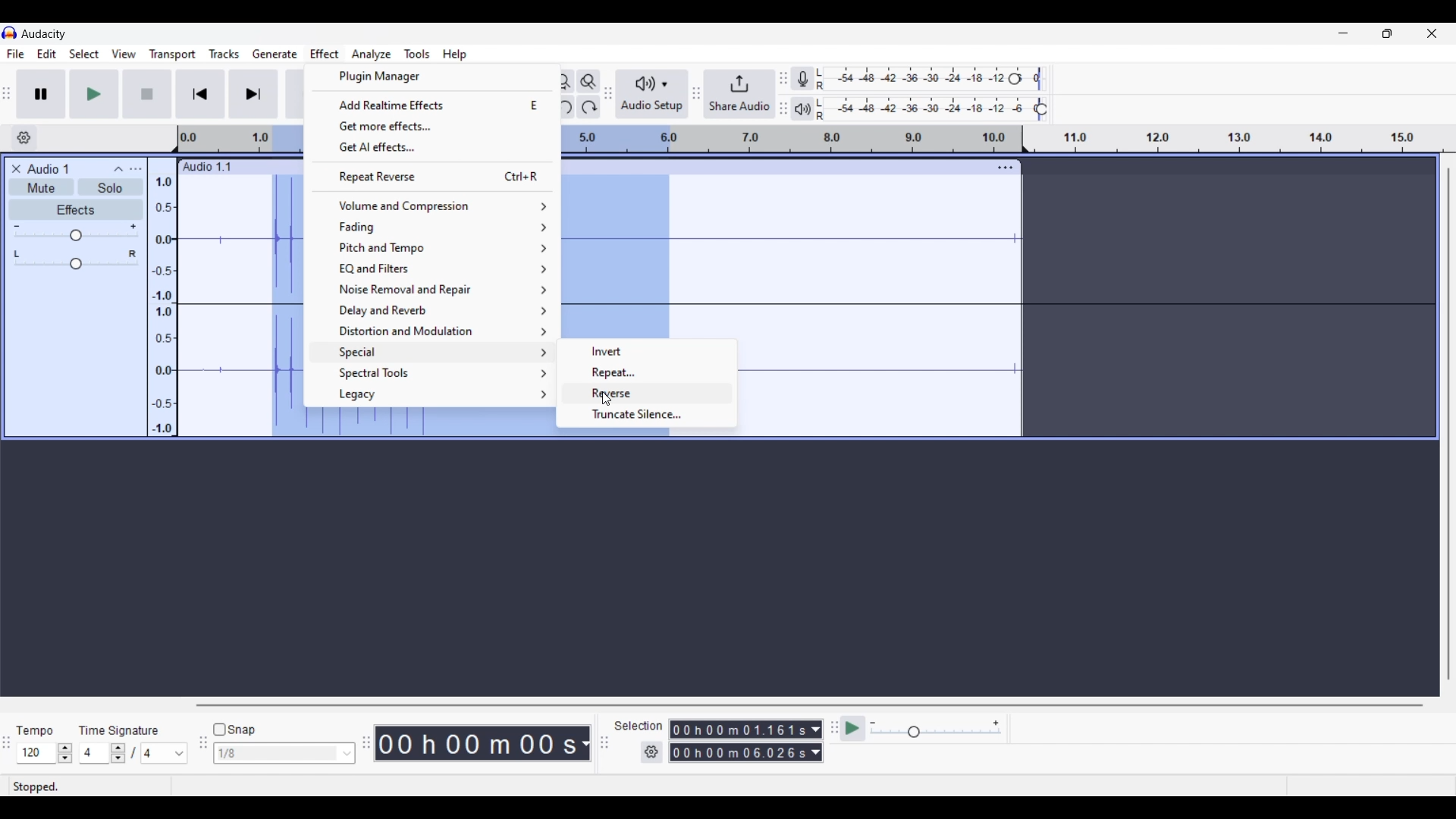  Describe the element at coordinates (124, 55) in the screenshot. I see `View menu` at that location.